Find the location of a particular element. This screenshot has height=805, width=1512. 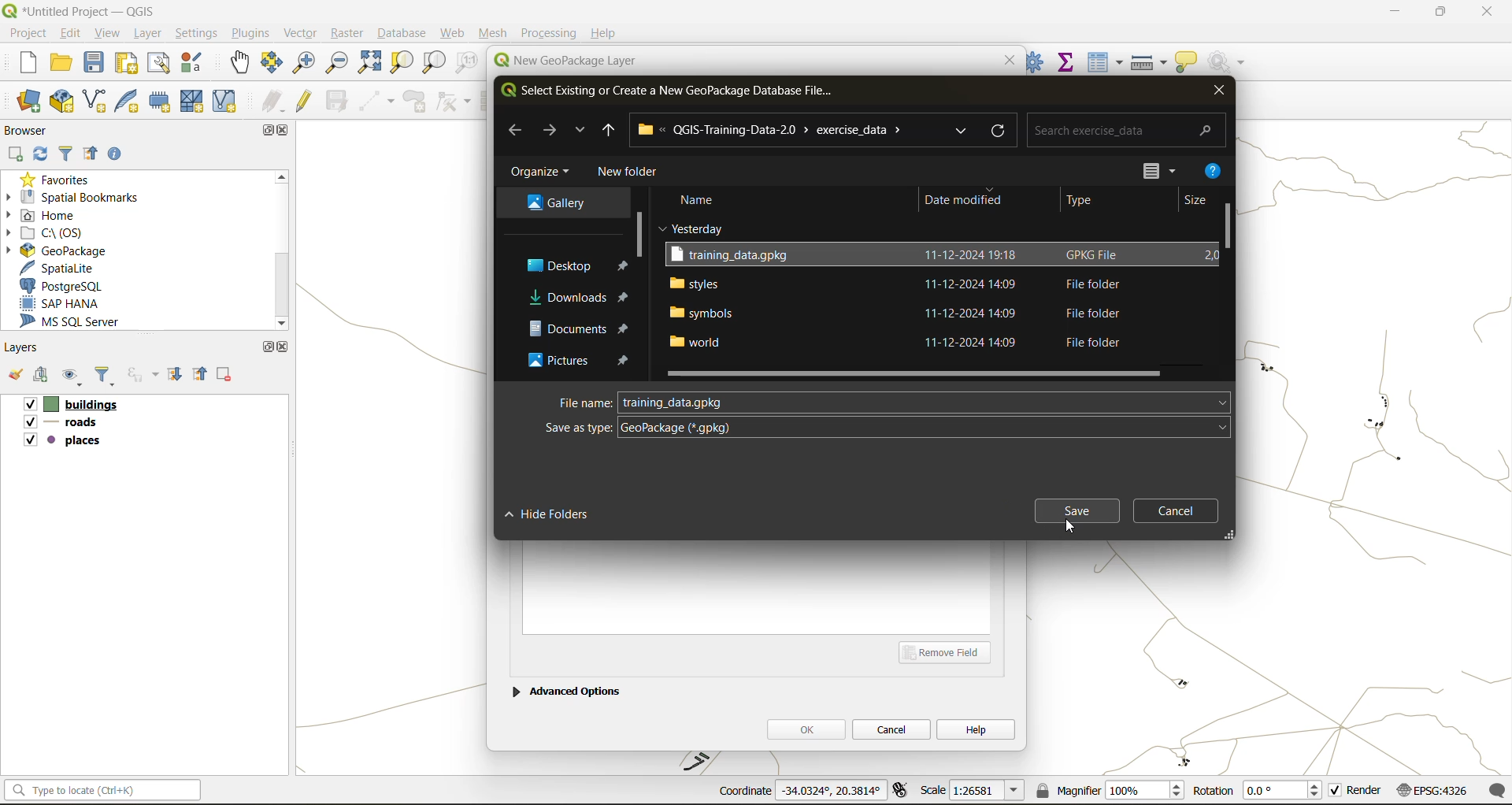

Pointer is located at coordinates (1071, 526).